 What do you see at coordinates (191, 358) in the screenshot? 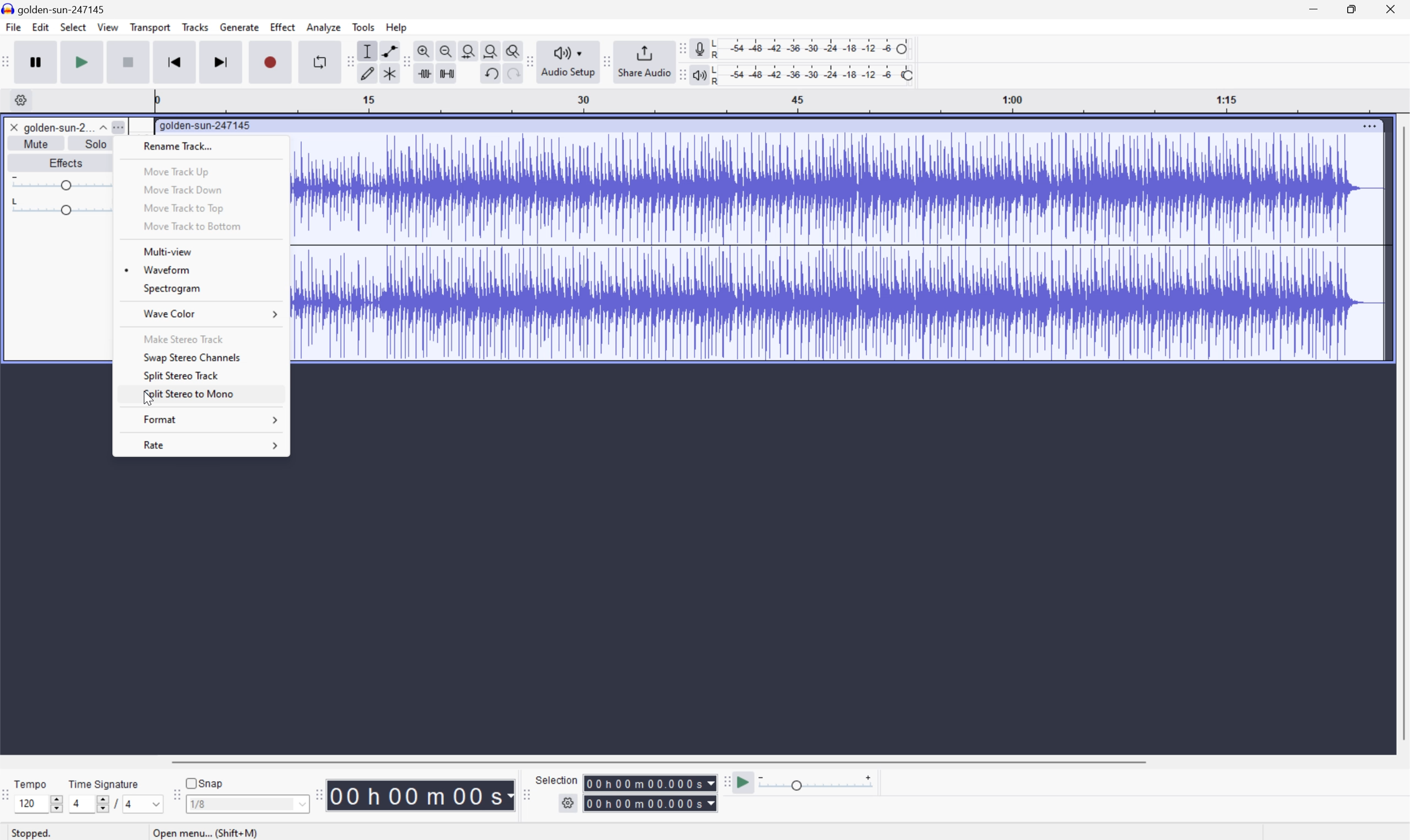
I see `Swap stereo channels` at bounding box center [191, 358].